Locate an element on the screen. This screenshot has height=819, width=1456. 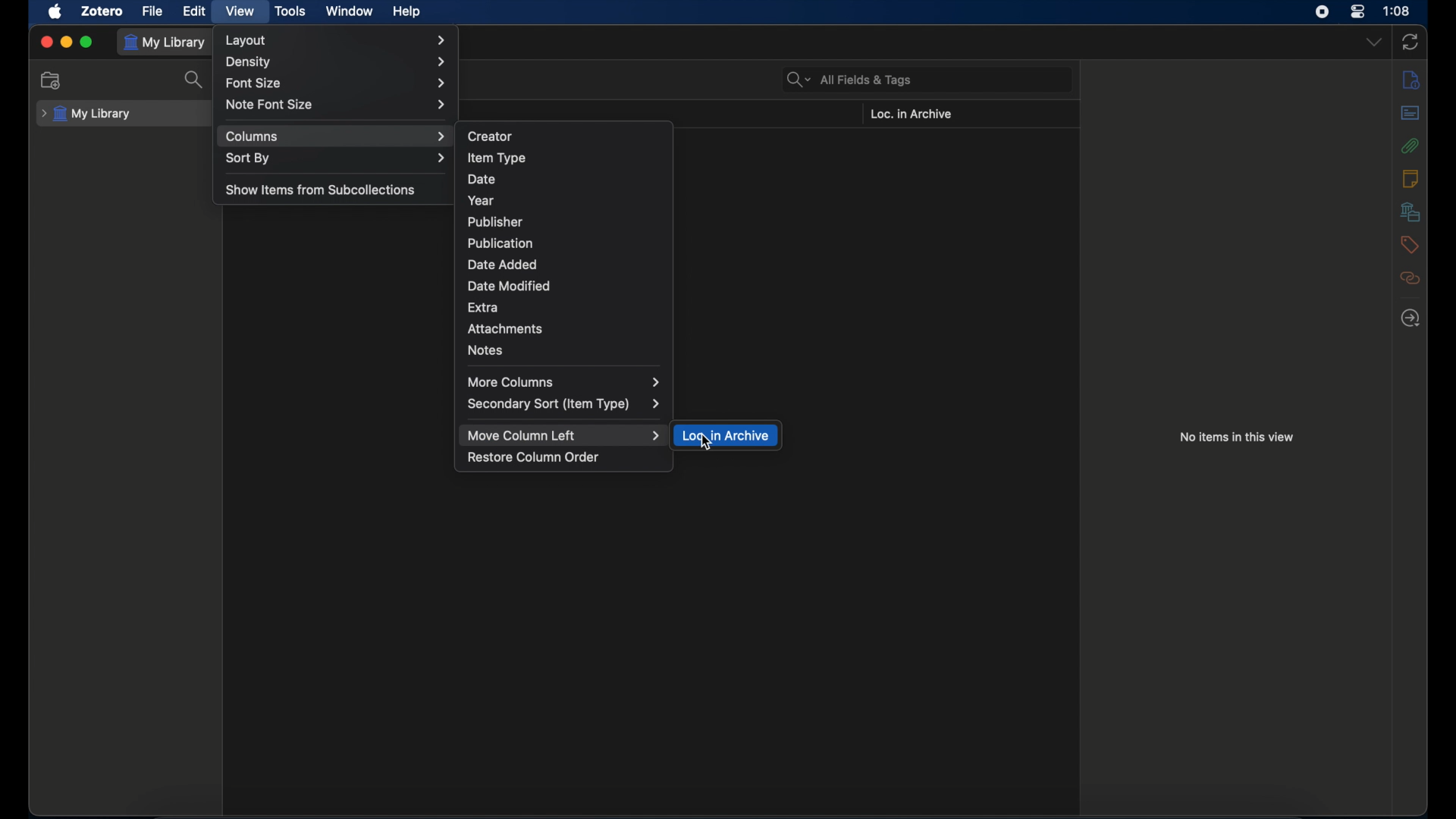
show items from subcollections is located at coordinates (322, 189).